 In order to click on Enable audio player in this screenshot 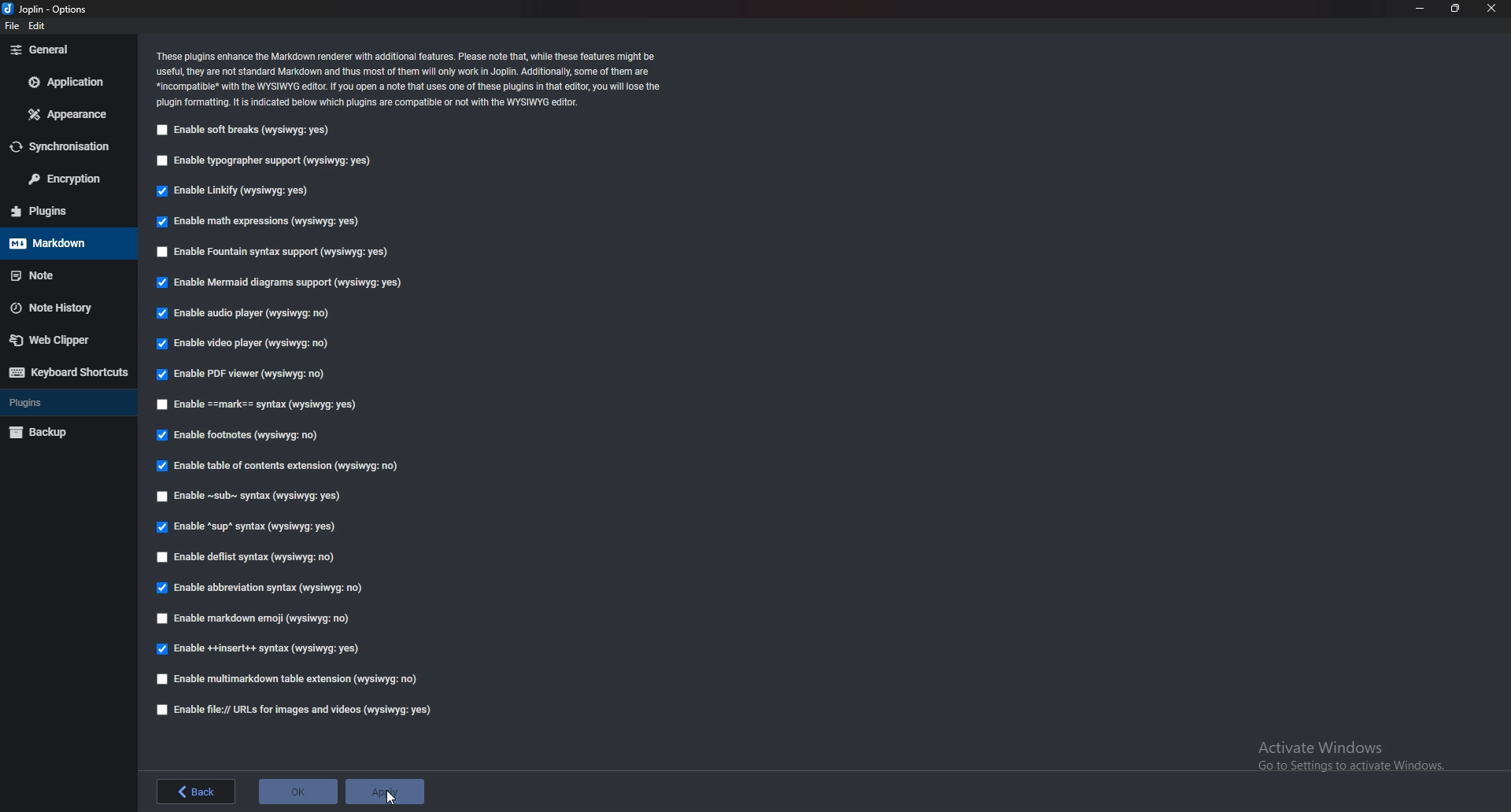, I will do `click(252, 316)`.